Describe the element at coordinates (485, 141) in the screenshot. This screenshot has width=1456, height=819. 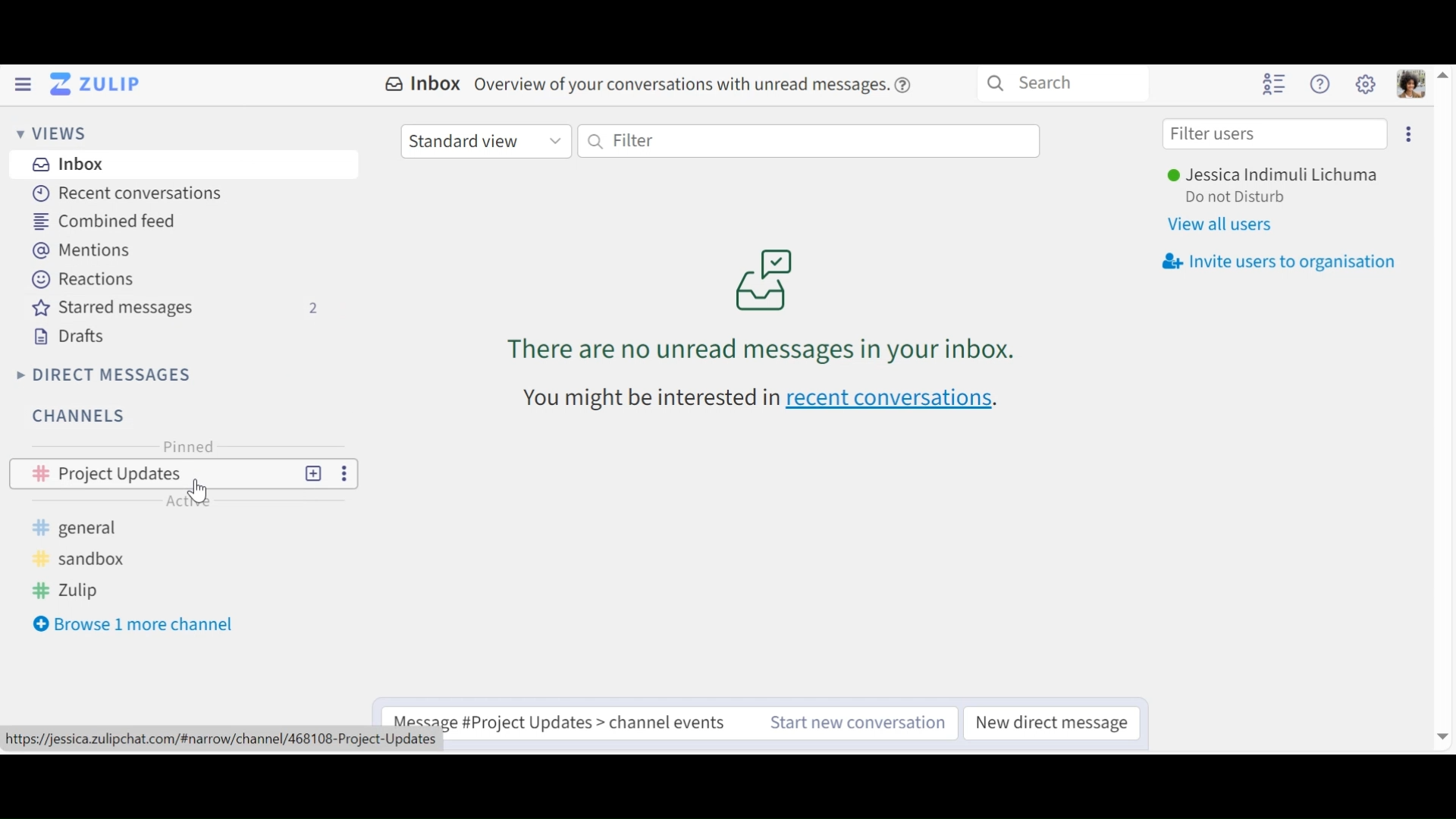
I see `Standard view` at that location.